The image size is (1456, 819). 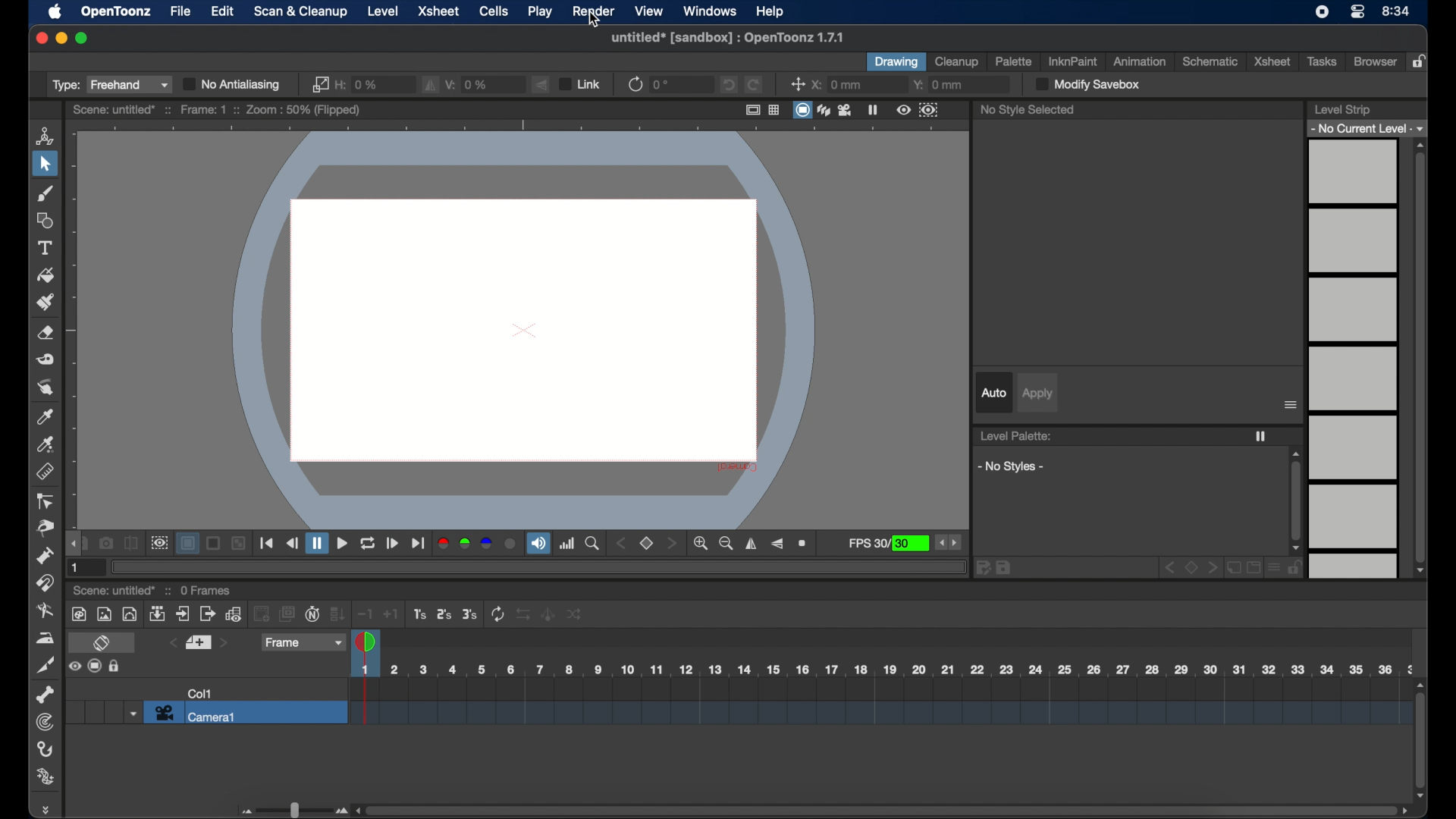 What do you see at coordinates (181, 11) in the screenshot?
I see `file` at bounding box center [181, 11].